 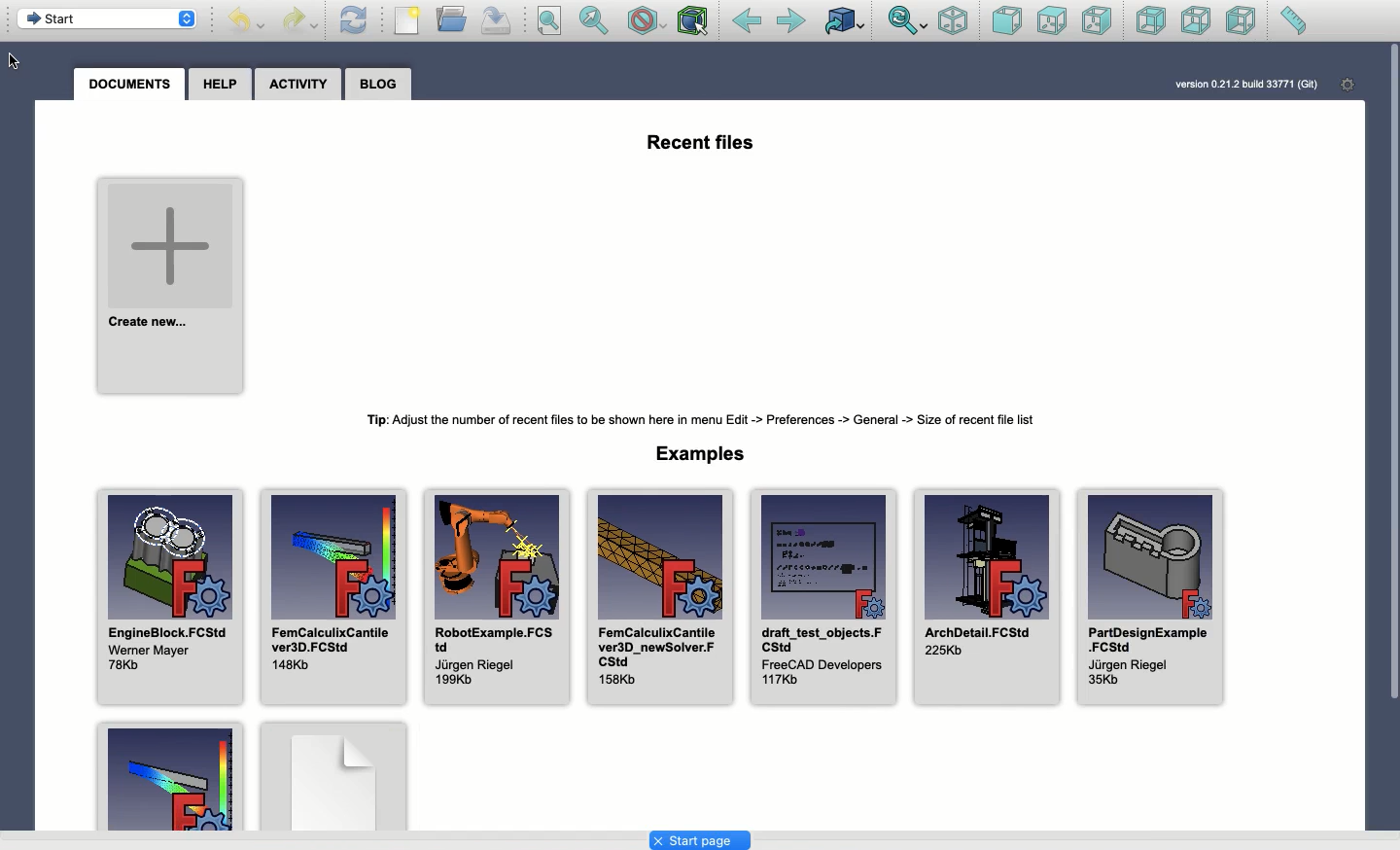 What do you see at coordinates (377, 85) in the screenshot?
I see `Blog` at bounding box center [377, 85].